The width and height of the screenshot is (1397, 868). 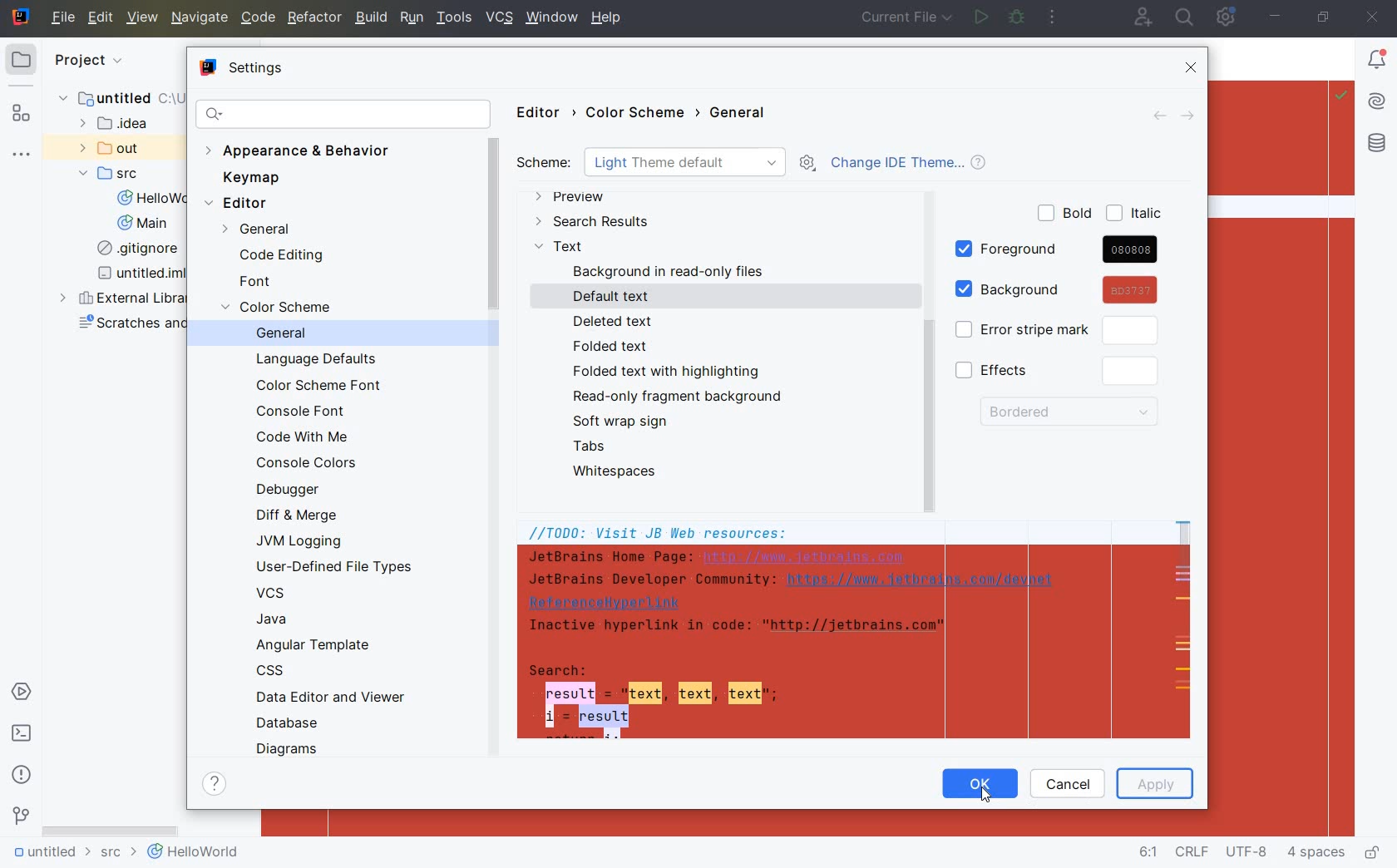 What do you see at coordinates (135, 249) in the screenshot?
I see `gitignore` at bounding box center [135, 249].